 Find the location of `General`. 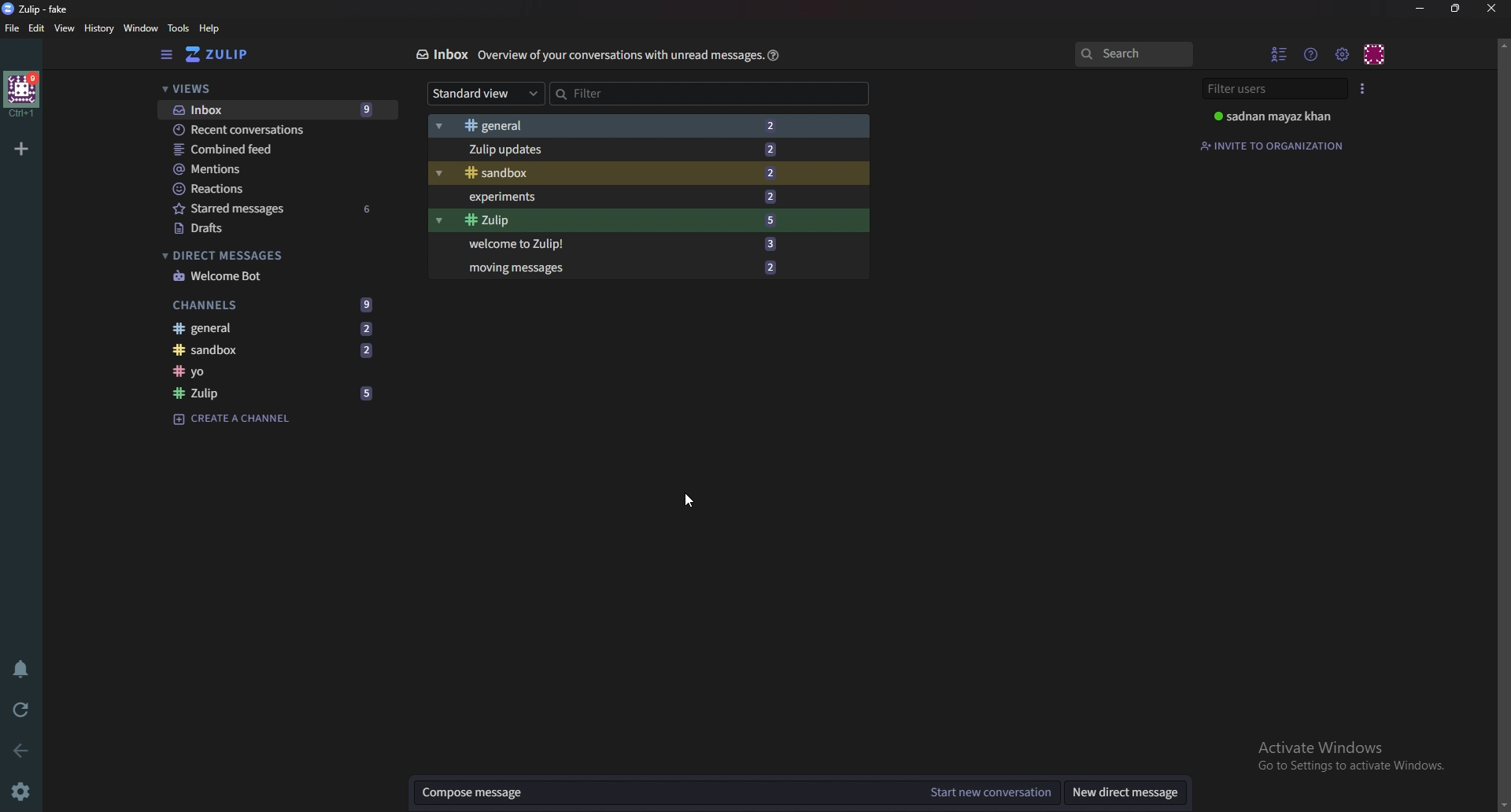

General is located at coordinates (615, 125).